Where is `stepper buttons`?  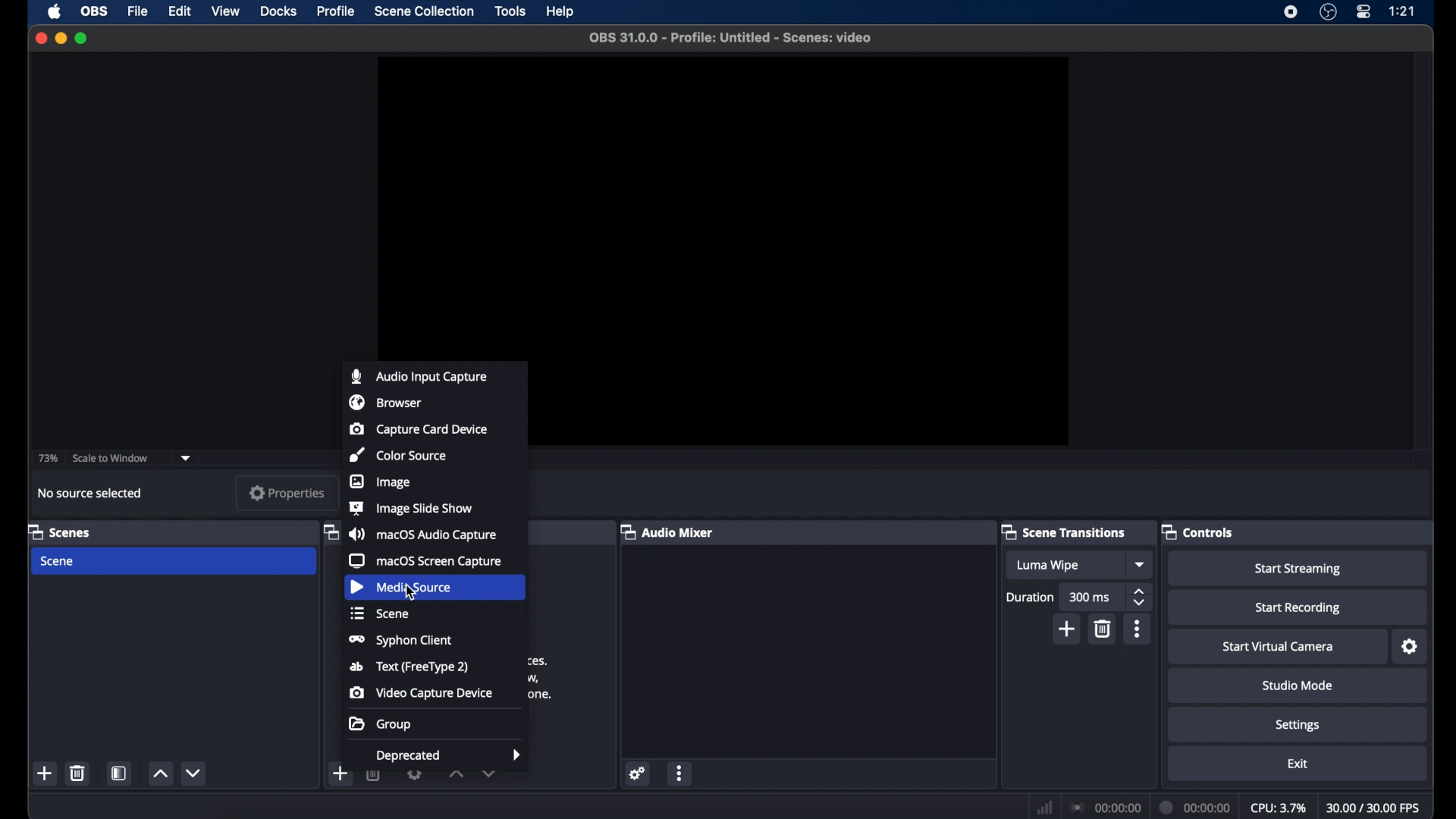
stepper buttons is located at coordinates (1141, 598).